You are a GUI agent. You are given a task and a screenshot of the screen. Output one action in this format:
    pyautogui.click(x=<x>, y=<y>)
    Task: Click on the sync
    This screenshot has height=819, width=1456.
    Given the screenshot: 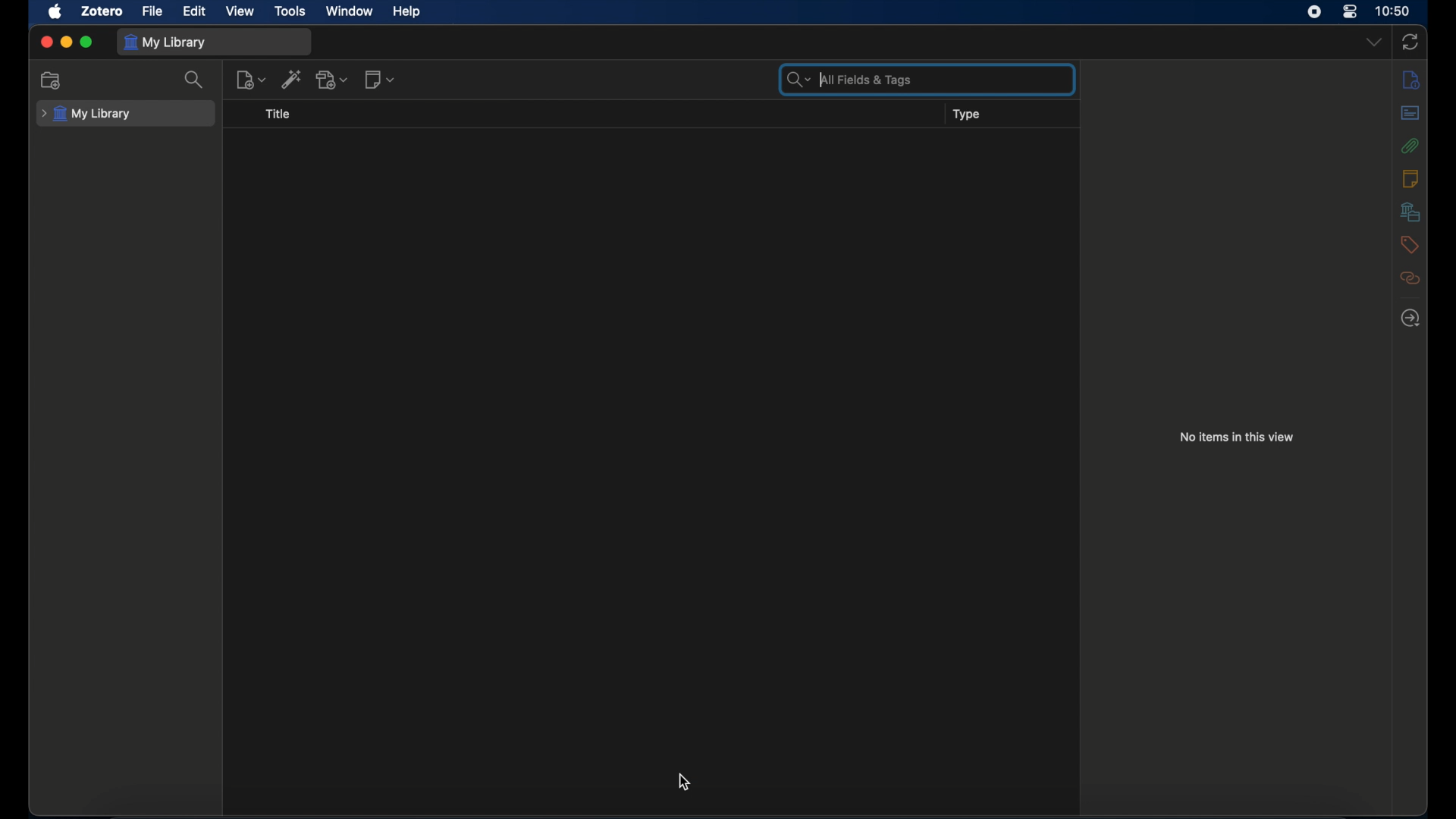 What is the action you would take?
    pyautogui.click(x=1410, y=42)
    